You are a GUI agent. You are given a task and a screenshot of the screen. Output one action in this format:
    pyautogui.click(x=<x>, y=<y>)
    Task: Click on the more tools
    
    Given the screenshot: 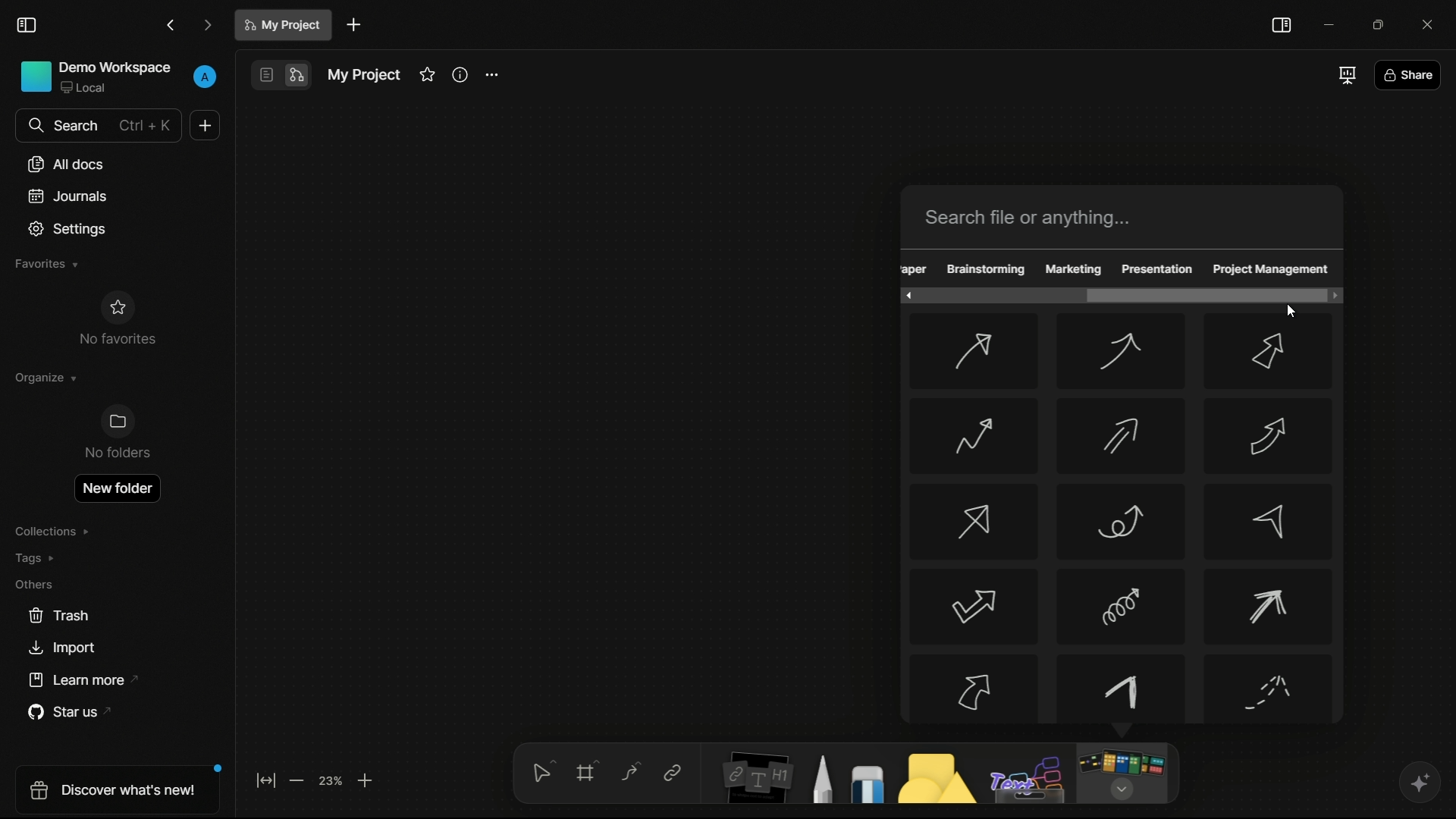 What is the action you would take?
    pyautogui.click(x=1121, y=774)
    